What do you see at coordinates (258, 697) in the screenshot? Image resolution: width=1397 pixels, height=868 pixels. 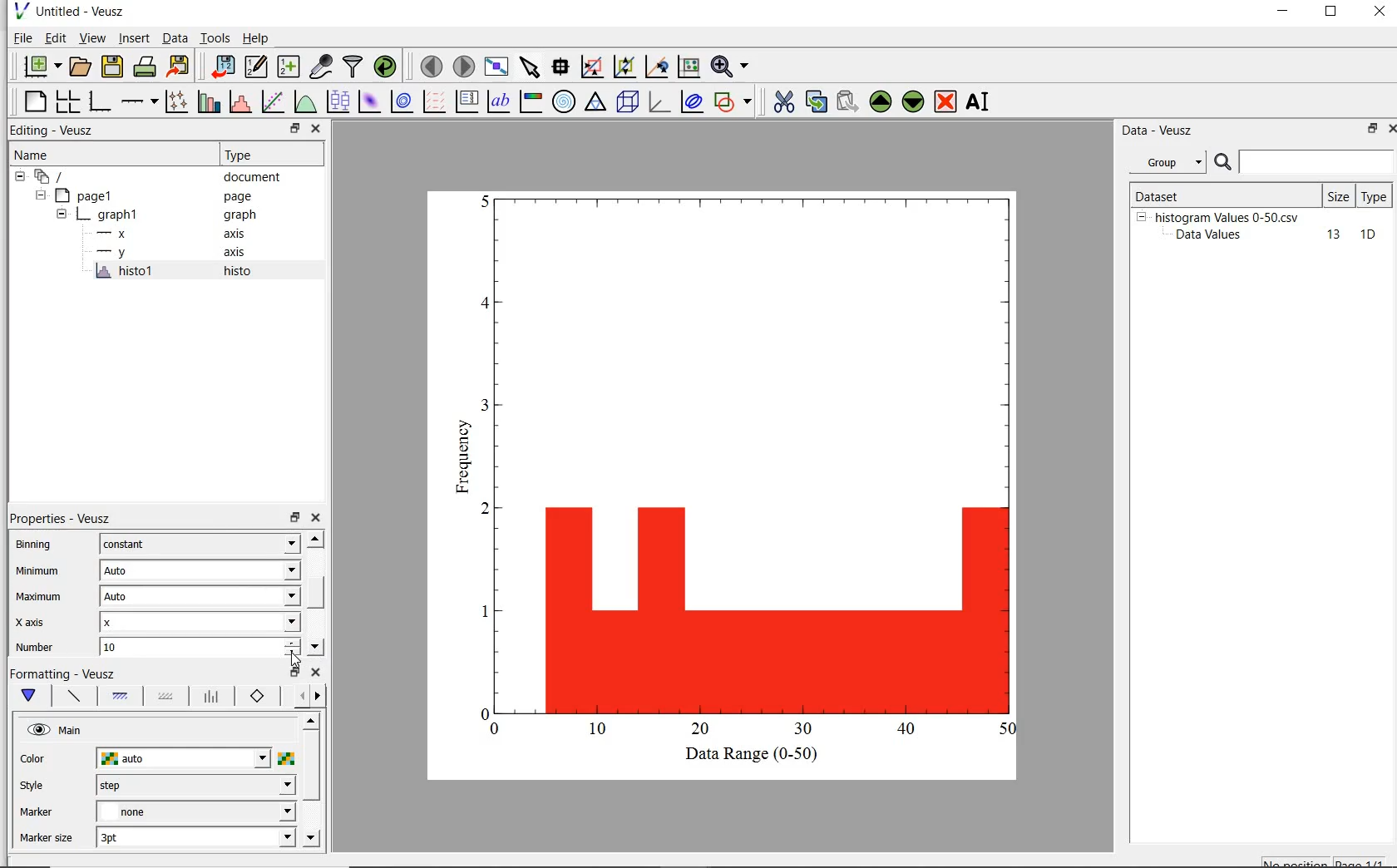 I see `marker border` at bounding box center [258, 697].